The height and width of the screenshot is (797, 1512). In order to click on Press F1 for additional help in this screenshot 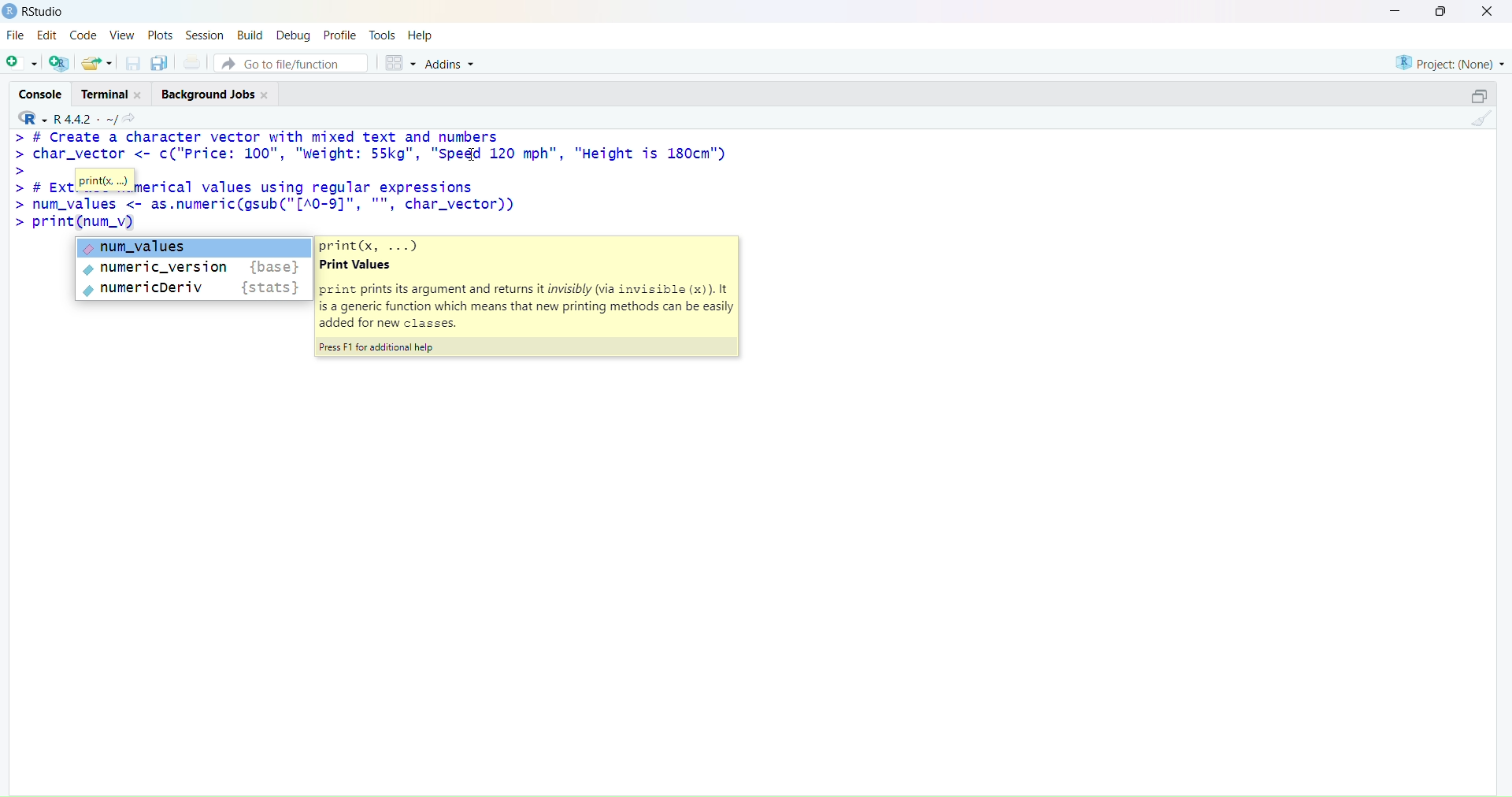, I will do `click(380, 348)`.